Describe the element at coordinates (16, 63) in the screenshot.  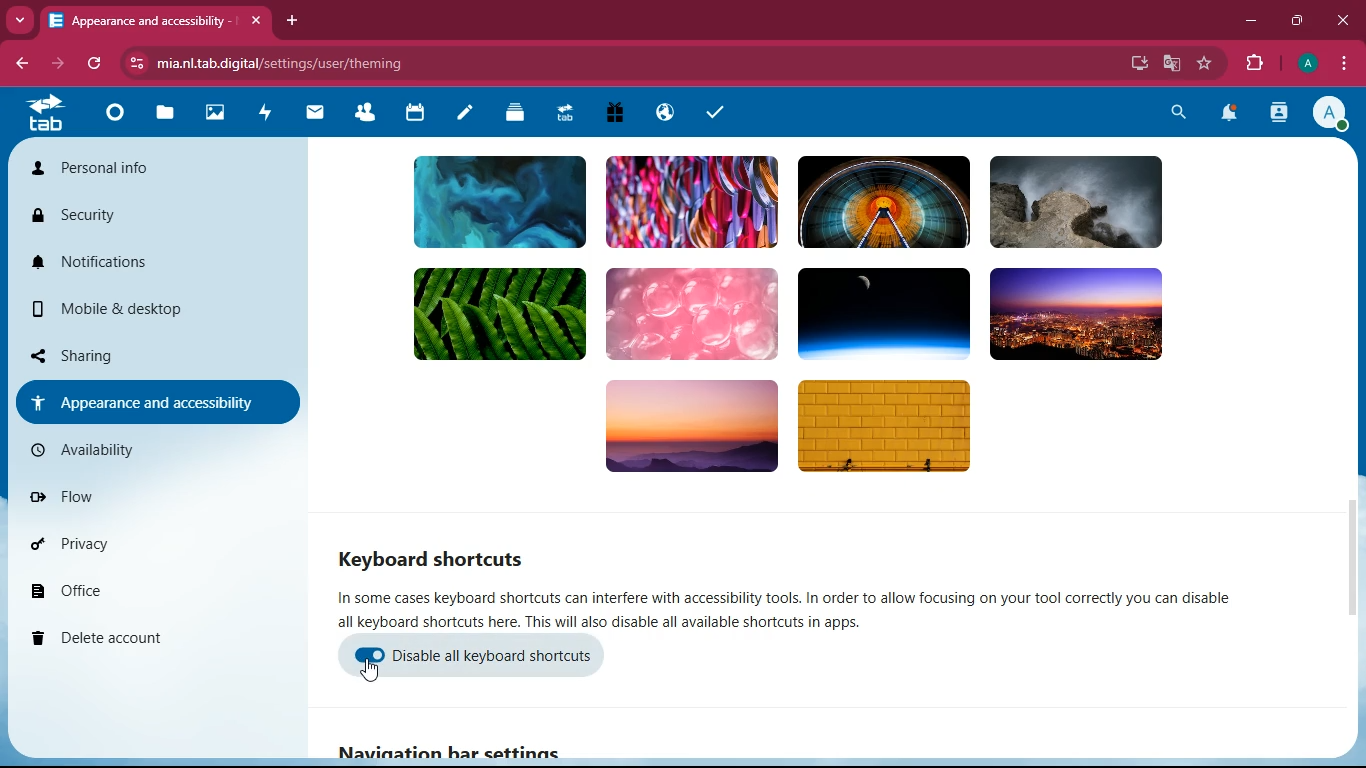
I see `back` at that location.